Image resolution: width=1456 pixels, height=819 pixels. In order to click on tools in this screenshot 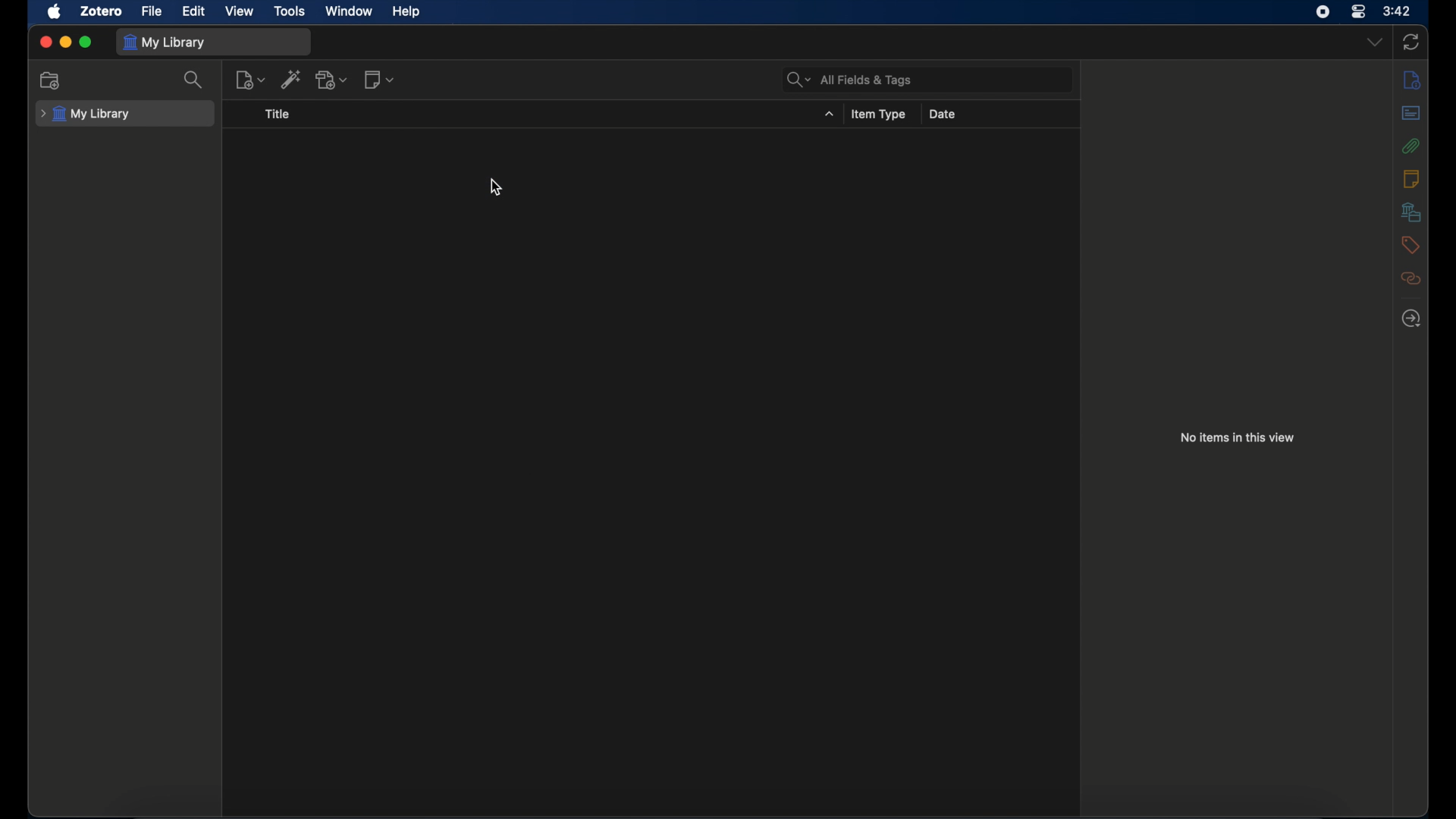, I will do `click(290, 11)`.